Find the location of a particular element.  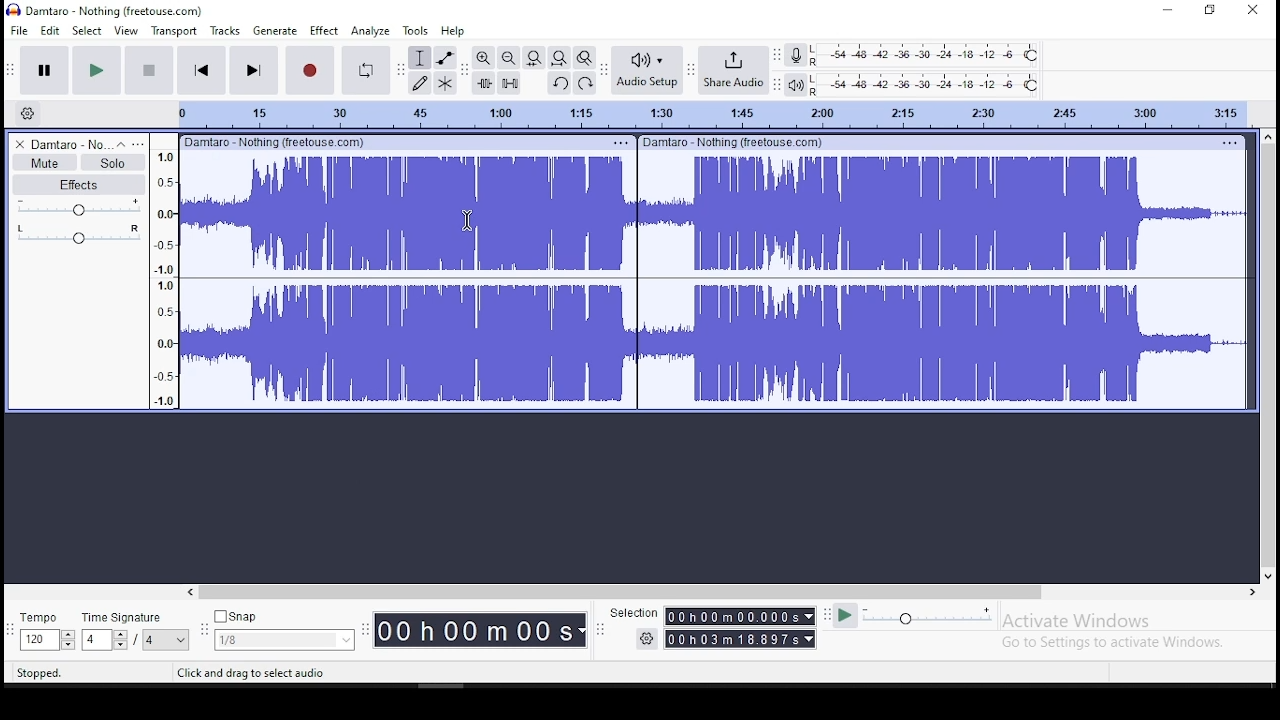

fit project to width is located at coordinates (559, 58).